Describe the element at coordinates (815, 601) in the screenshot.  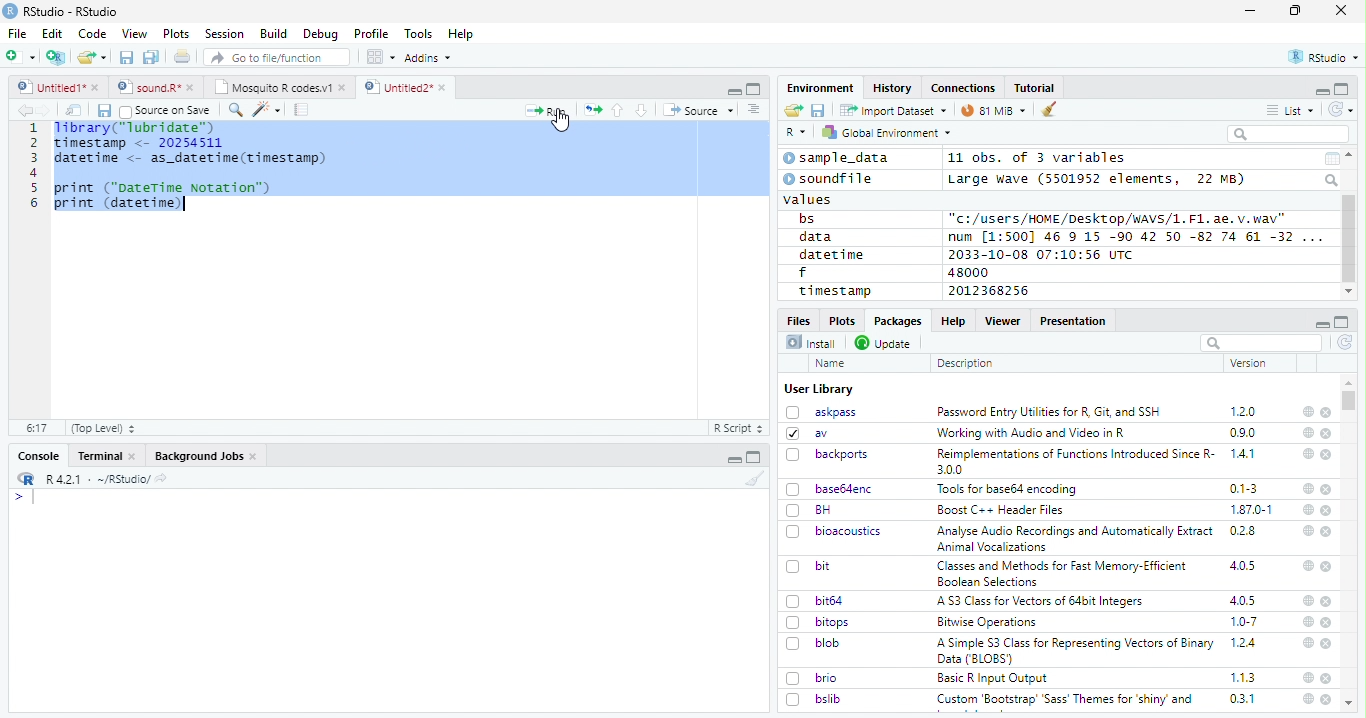
I see `bit64` at that location.